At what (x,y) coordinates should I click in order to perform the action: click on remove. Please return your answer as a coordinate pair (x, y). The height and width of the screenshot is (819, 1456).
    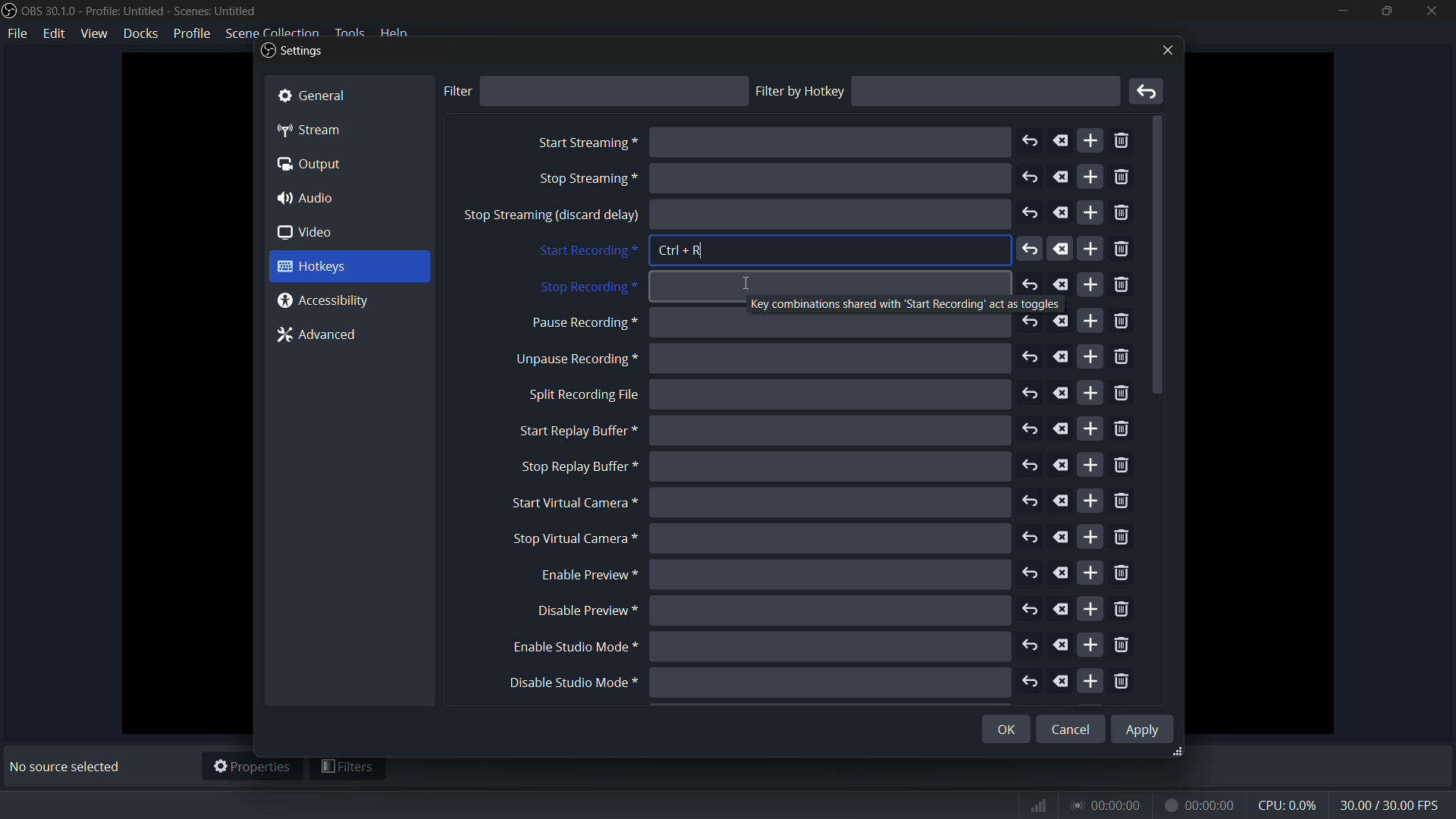
    Looking at the image, I should click on (1121, 323).